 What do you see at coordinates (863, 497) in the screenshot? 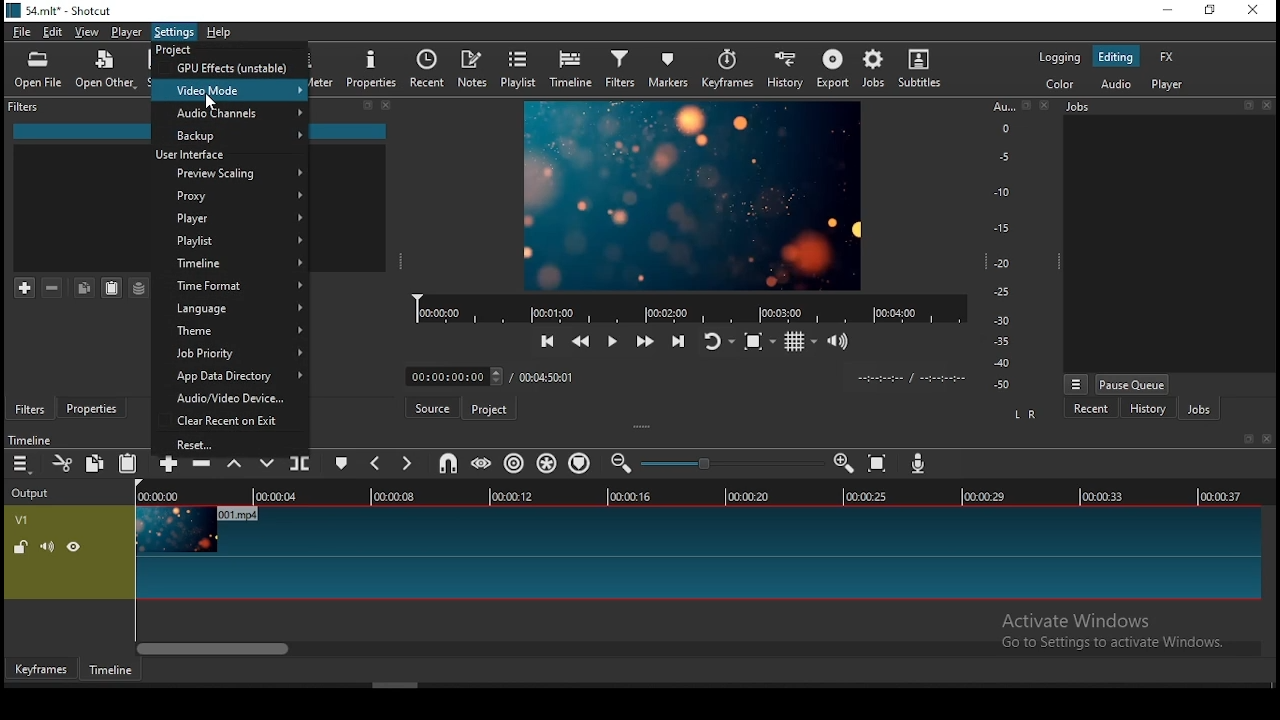
I see `00:00:25` at bounding box center [863, 497].